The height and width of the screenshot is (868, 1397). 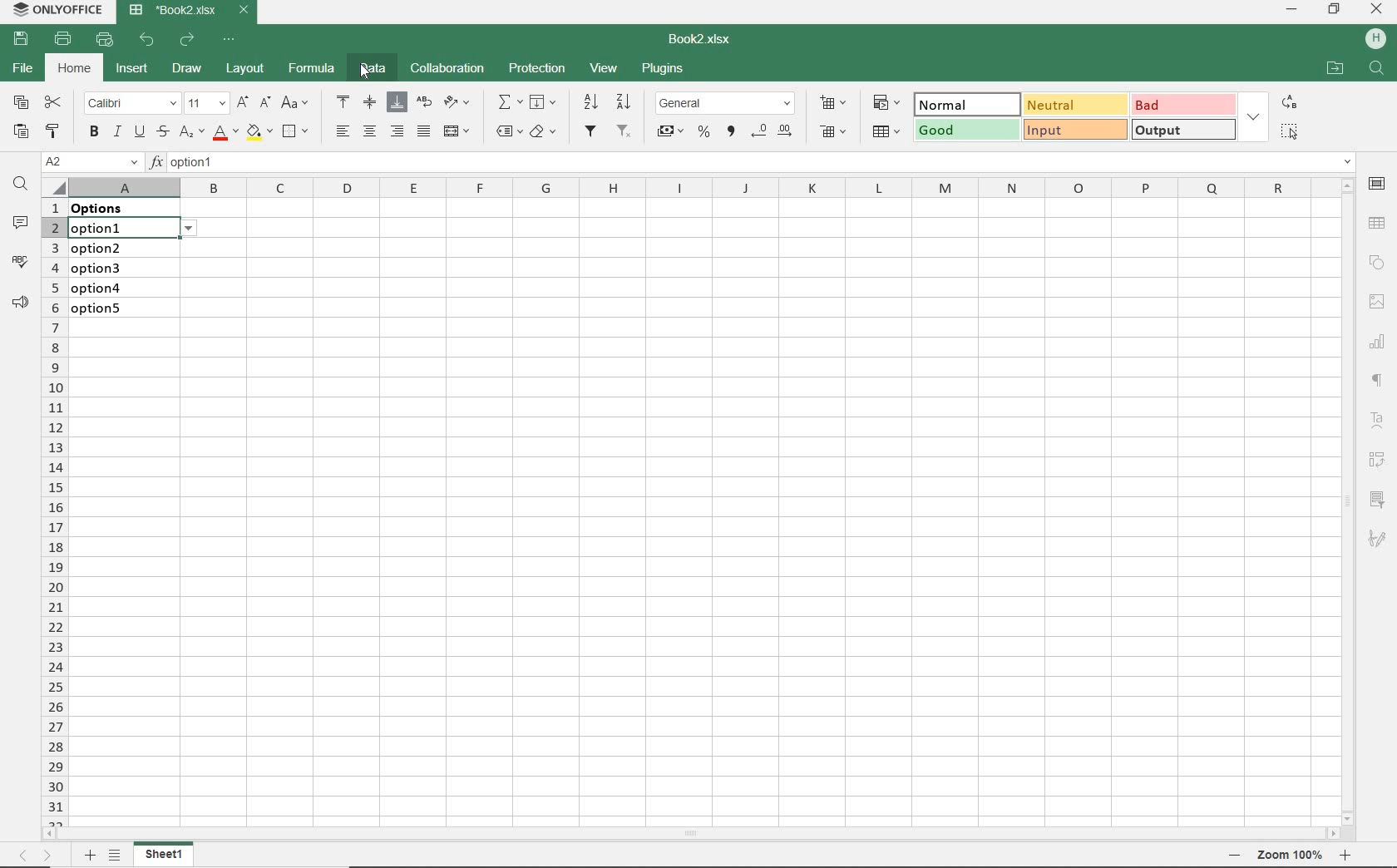 What do you see at coordinates (1379, 302) in the screenshot?
I see `IMAGE` at bounding box center [1379, 302].